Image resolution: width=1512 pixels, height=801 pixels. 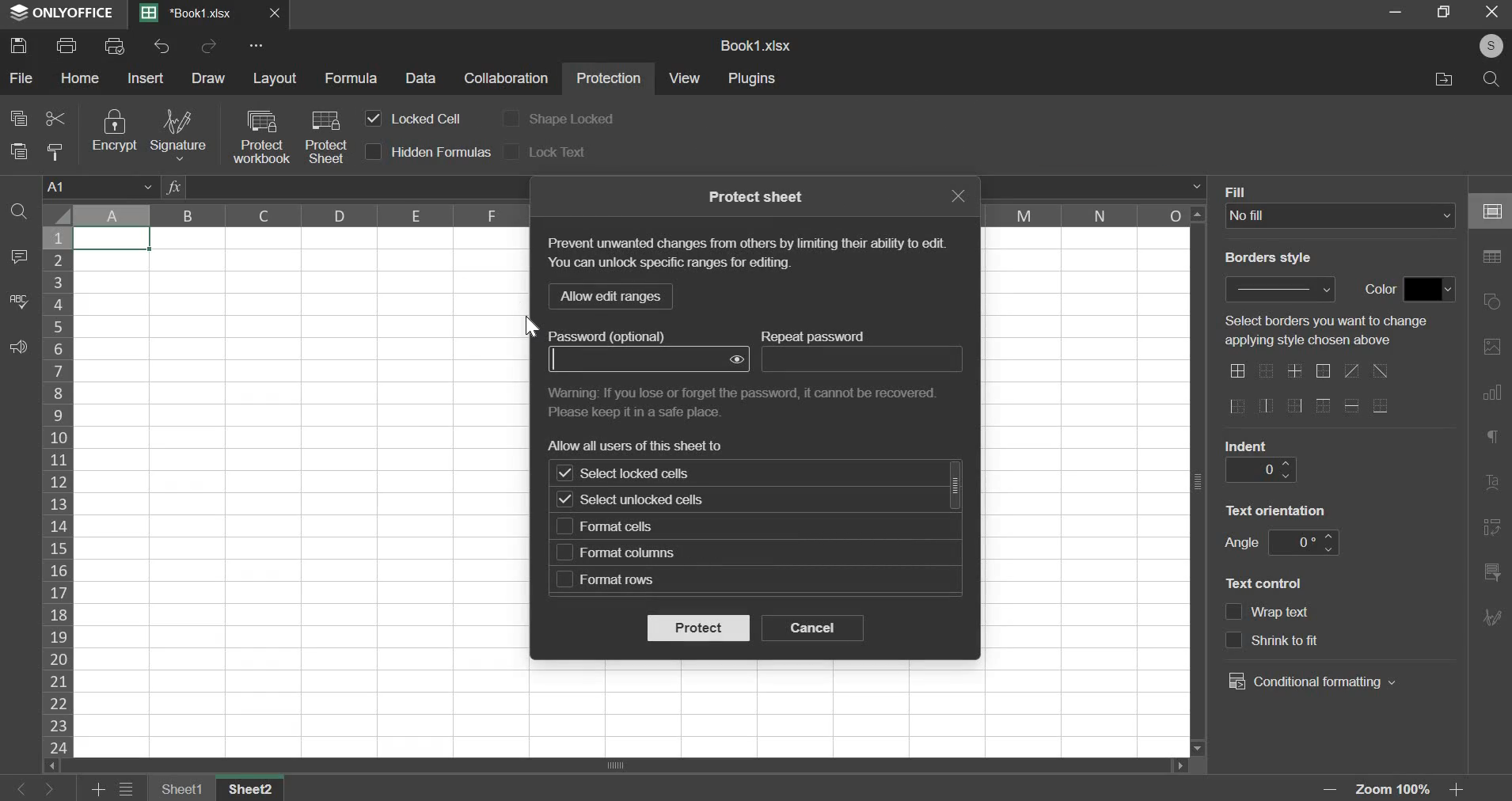 What do you see at coordinates (1266, 406) in the screenshot?
I see `border options` at bounding box center [1266, 406].